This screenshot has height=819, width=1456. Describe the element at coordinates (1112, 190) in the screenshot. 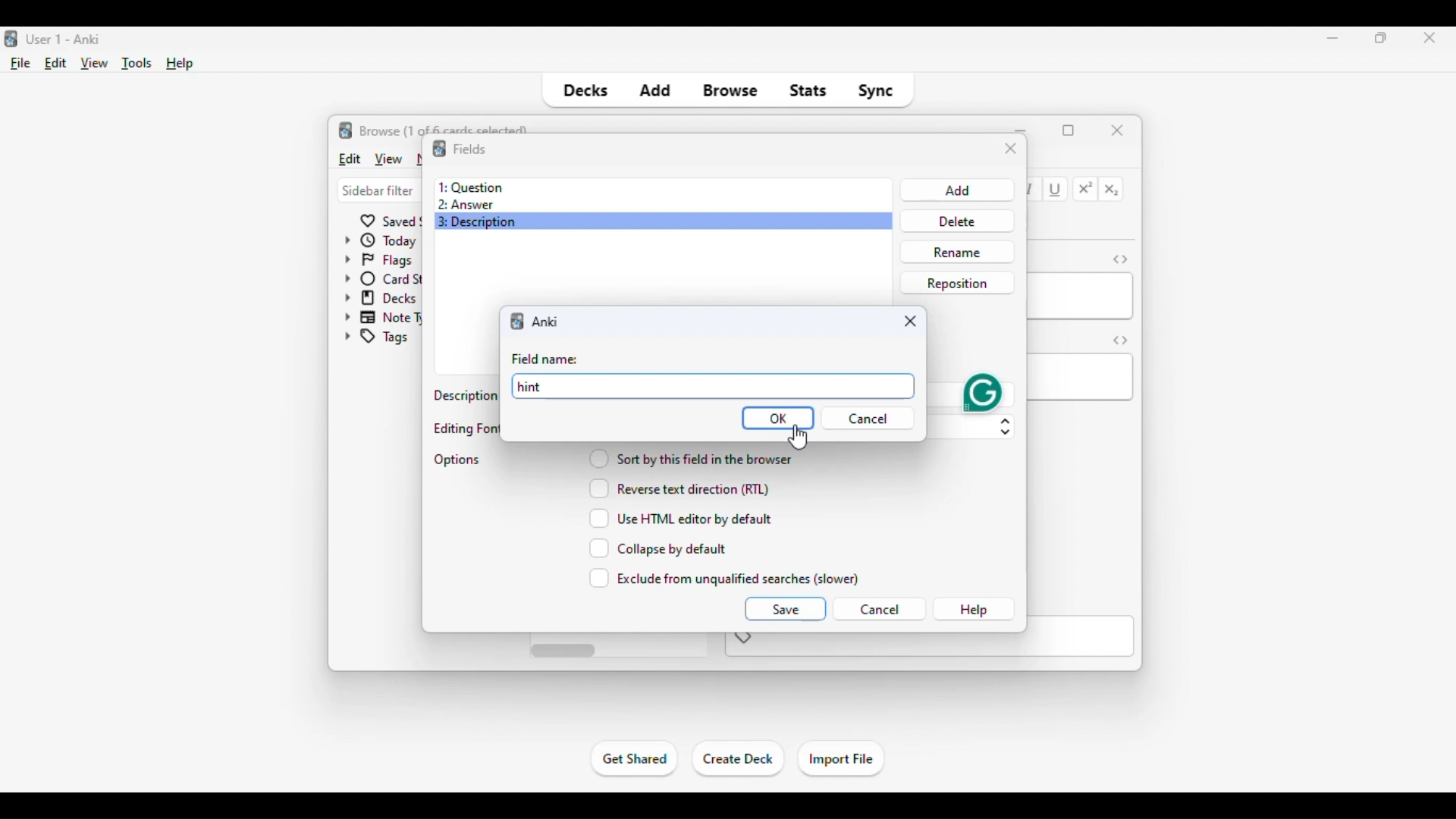

I see `subscript` at that location.